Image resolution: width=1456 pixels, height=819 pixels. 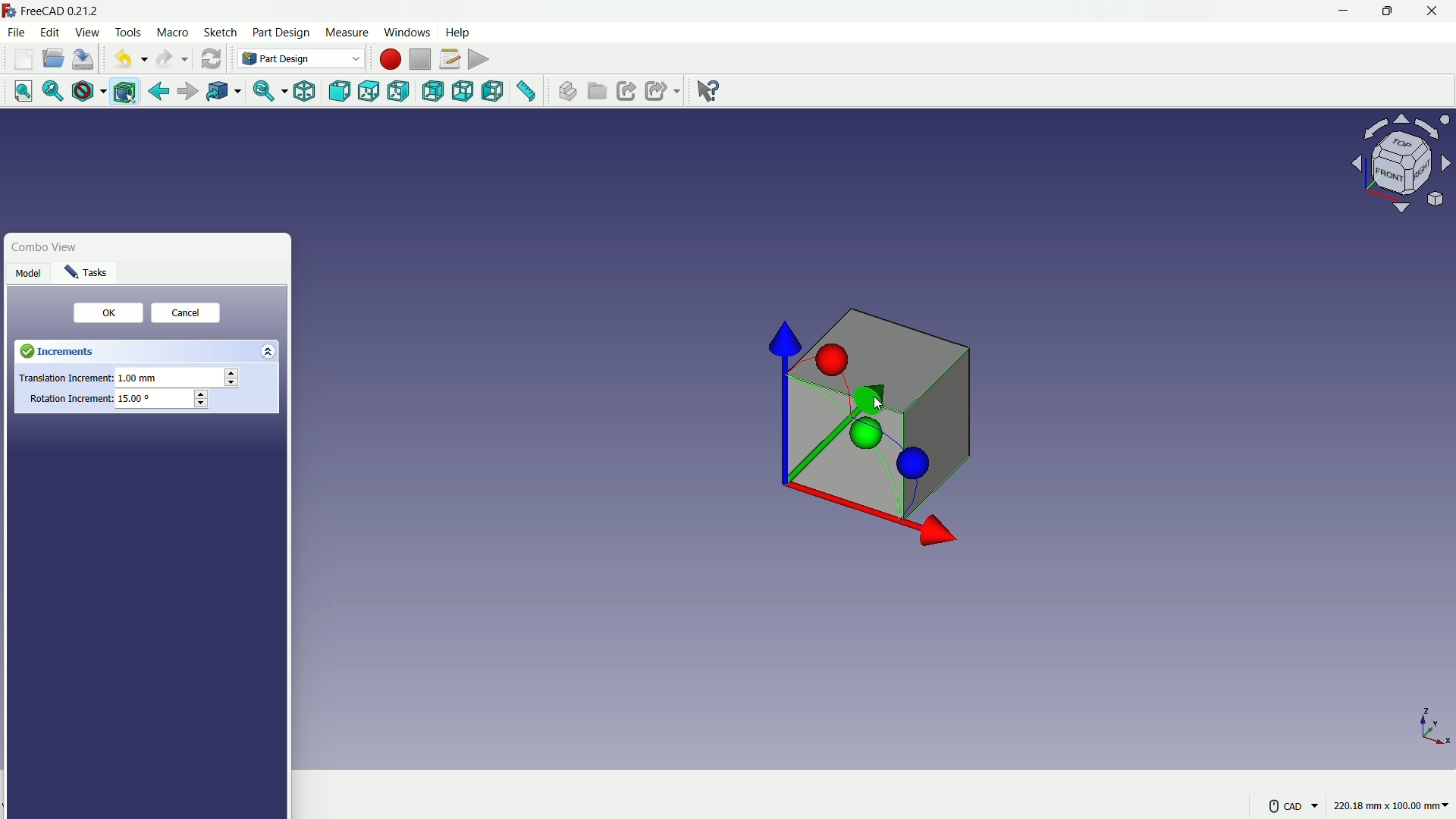 What do you see at coordinates (52, 32) in the screenshot?
I see `edit` at bounding box center [52, 32].